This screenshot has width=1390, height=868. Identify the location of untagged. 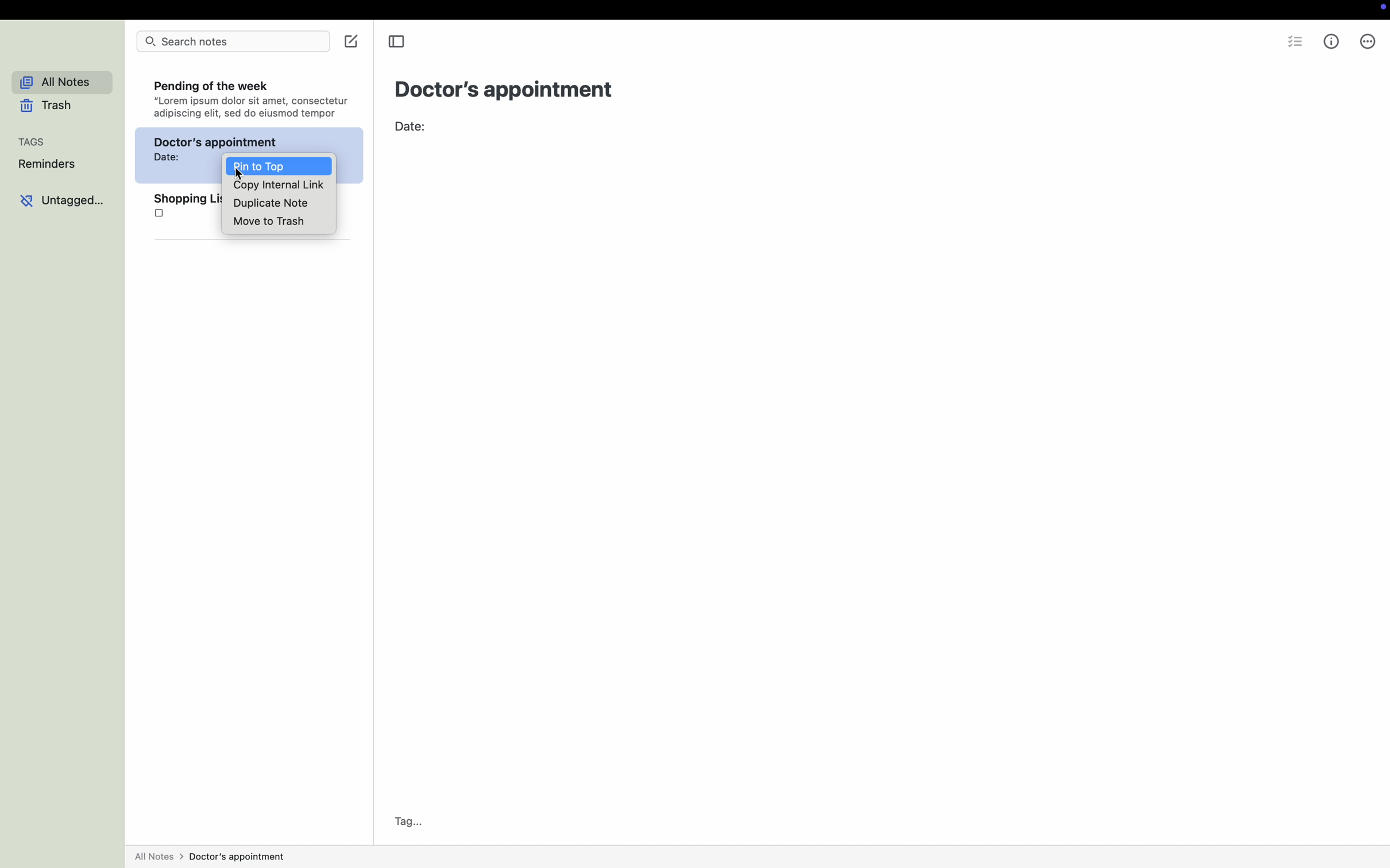
(61, 203).